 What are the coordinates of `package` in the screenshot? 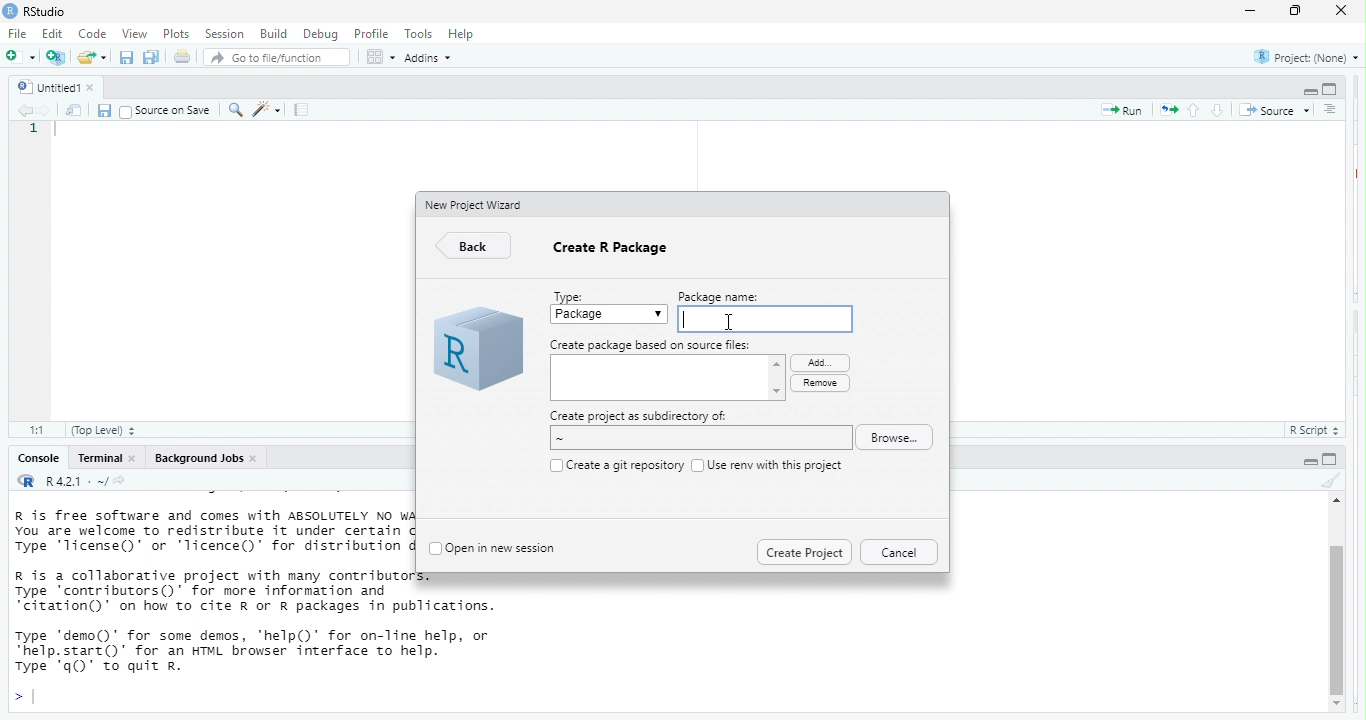 It's located at (610, 316).